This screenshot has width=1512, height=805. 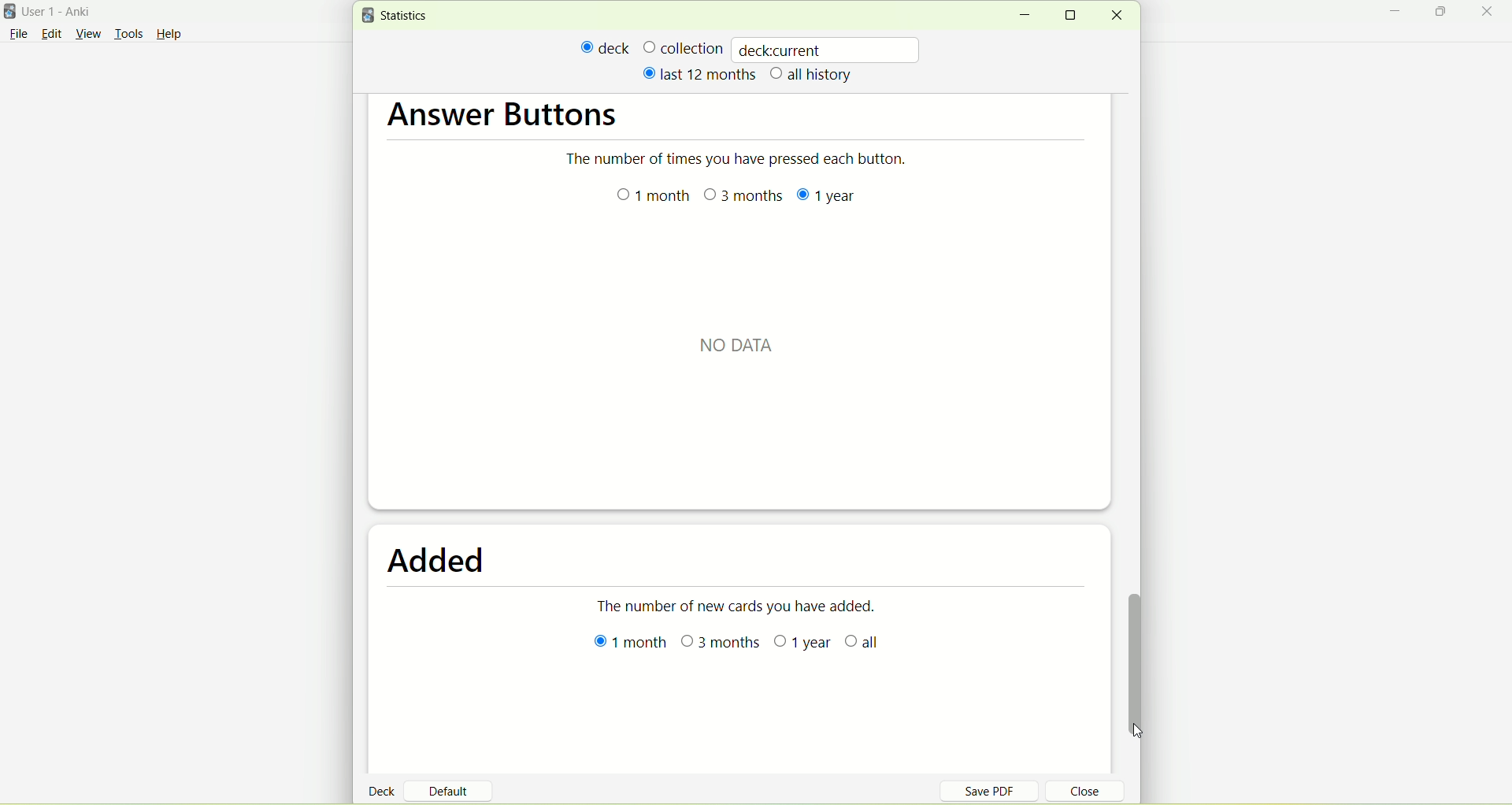 What do you see at coordinates (1399, 13) in the screenshot?
I see `minimize` at bounding box center [1399, 13].